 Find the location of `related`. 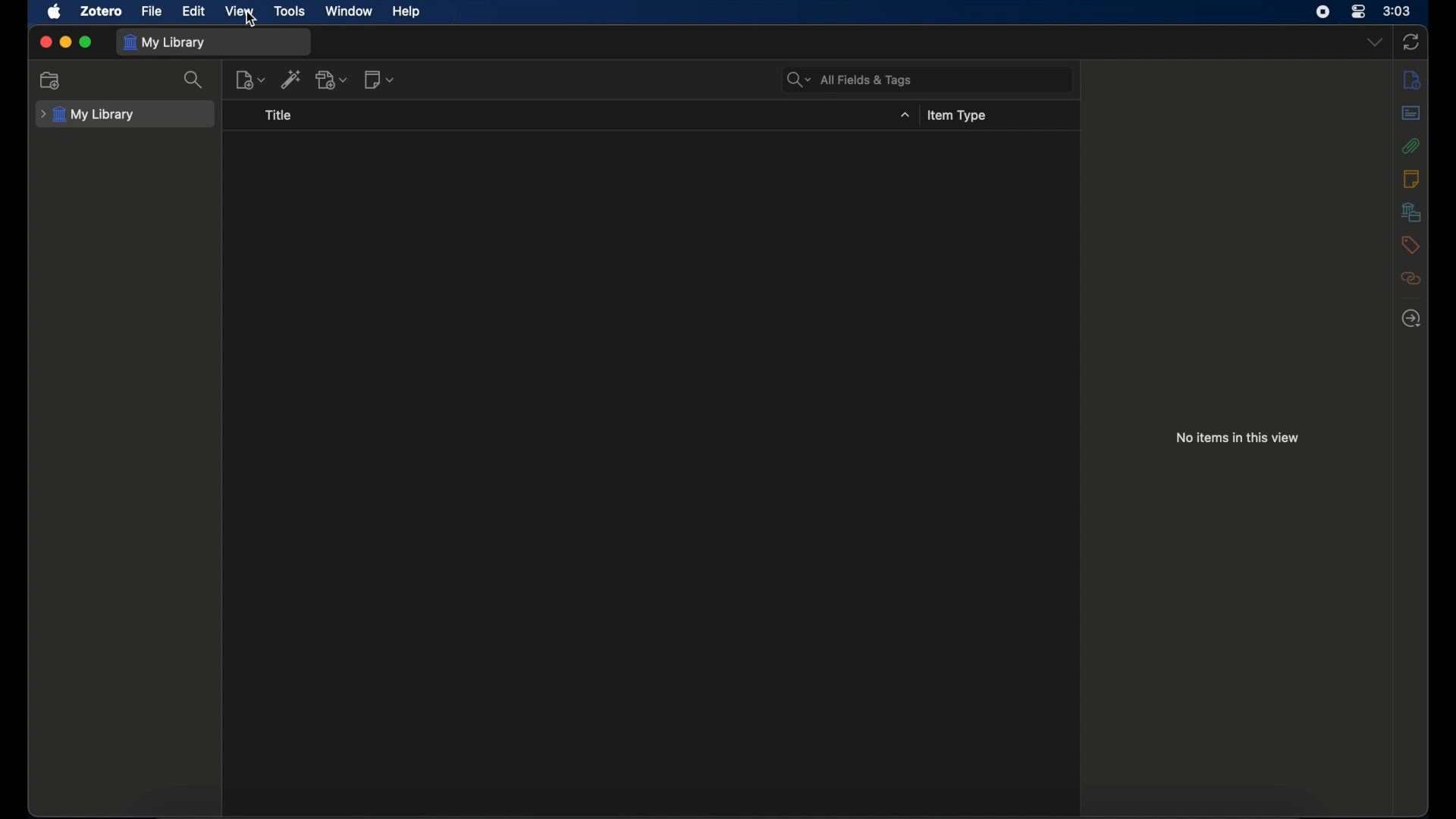

related is located at coordinates (1411, 278).